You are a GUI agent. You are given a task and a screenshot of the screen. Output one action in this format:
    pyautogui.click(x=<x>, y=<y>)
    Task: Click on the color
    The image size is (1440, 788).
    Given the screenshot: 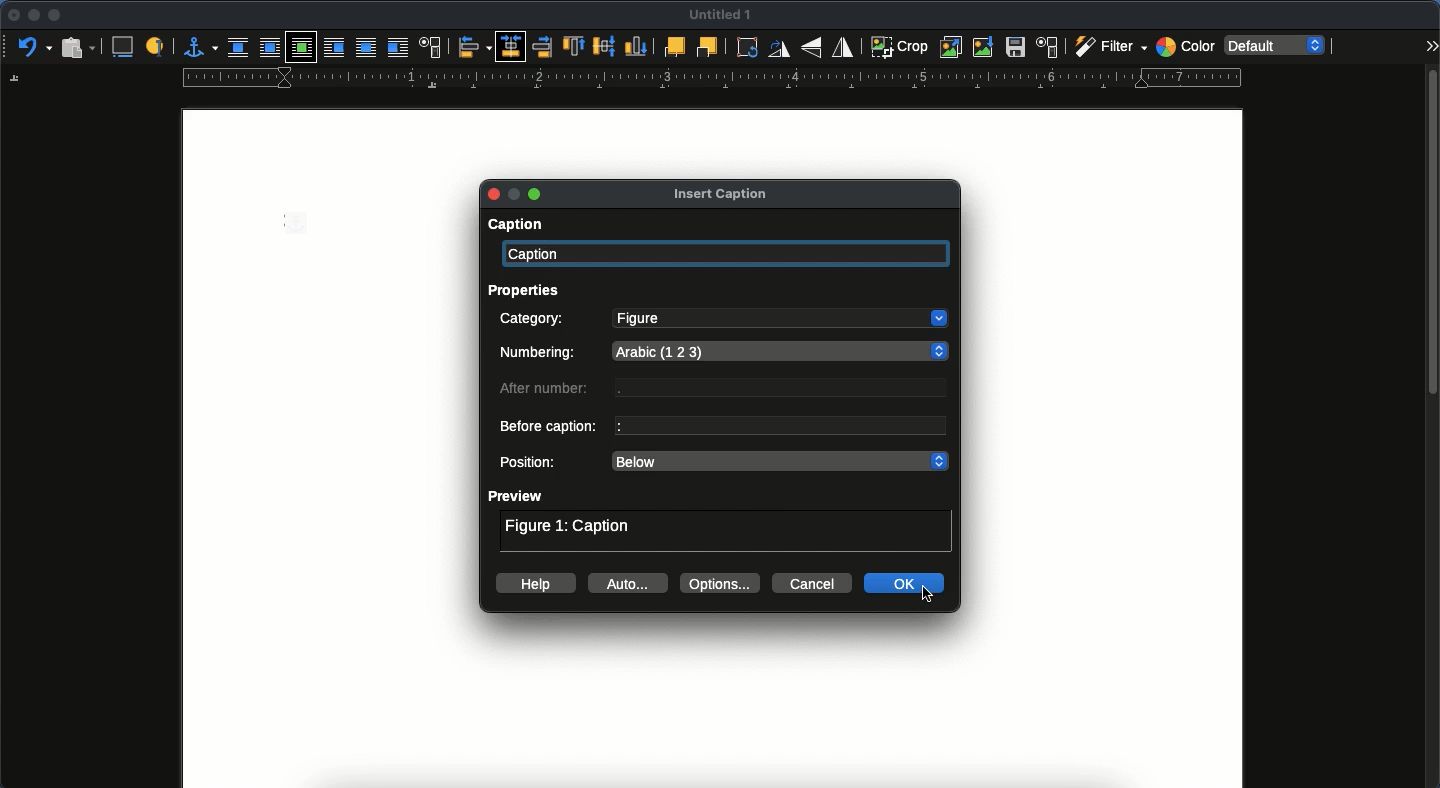 What is the action you would take?
    pyautogui.click(x=1184, y=45)
    